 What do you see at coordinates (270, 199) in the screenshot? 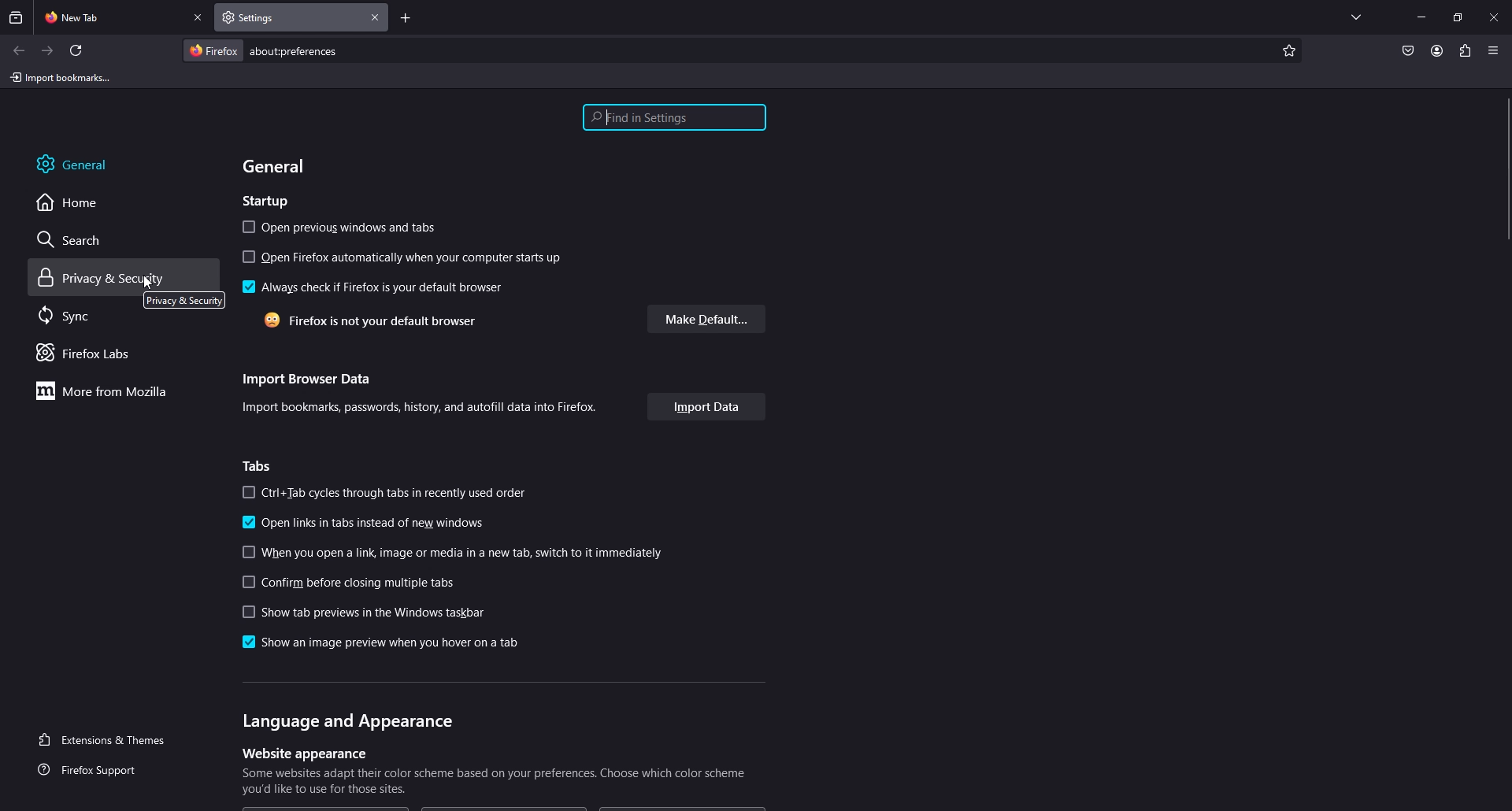
I see `startup` at bounding box center [270, 199].